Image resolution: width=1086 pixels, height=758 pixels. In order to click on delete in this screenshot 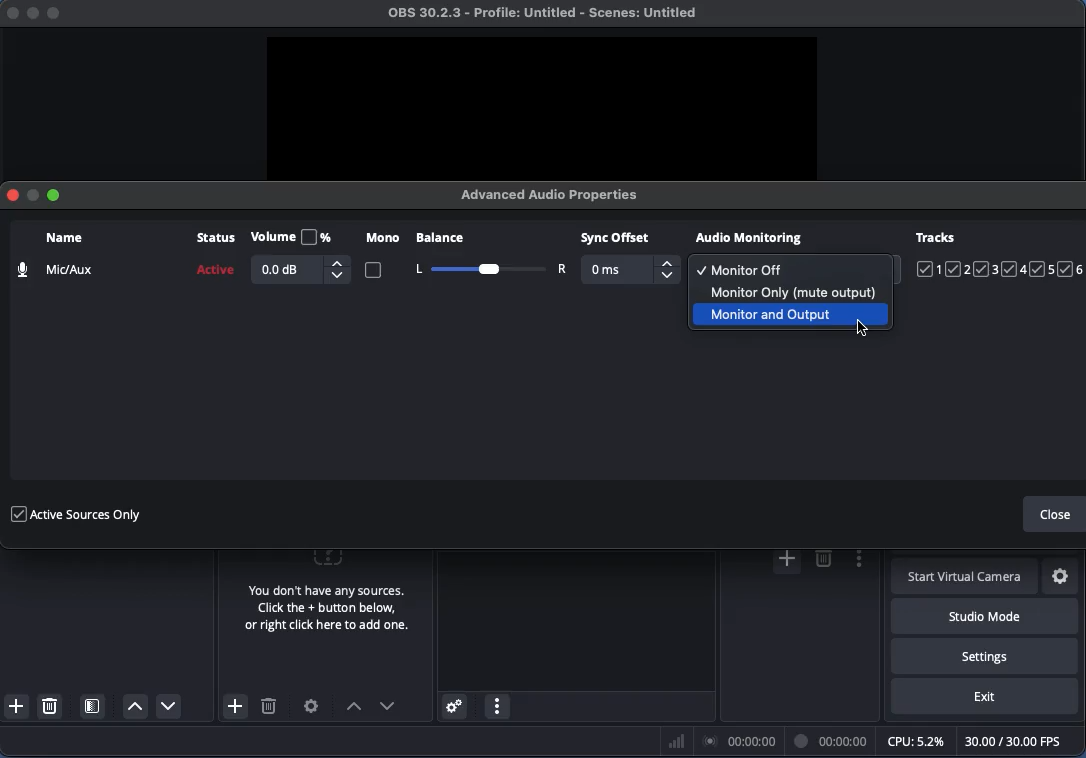, I will do `click(823, 559)`.